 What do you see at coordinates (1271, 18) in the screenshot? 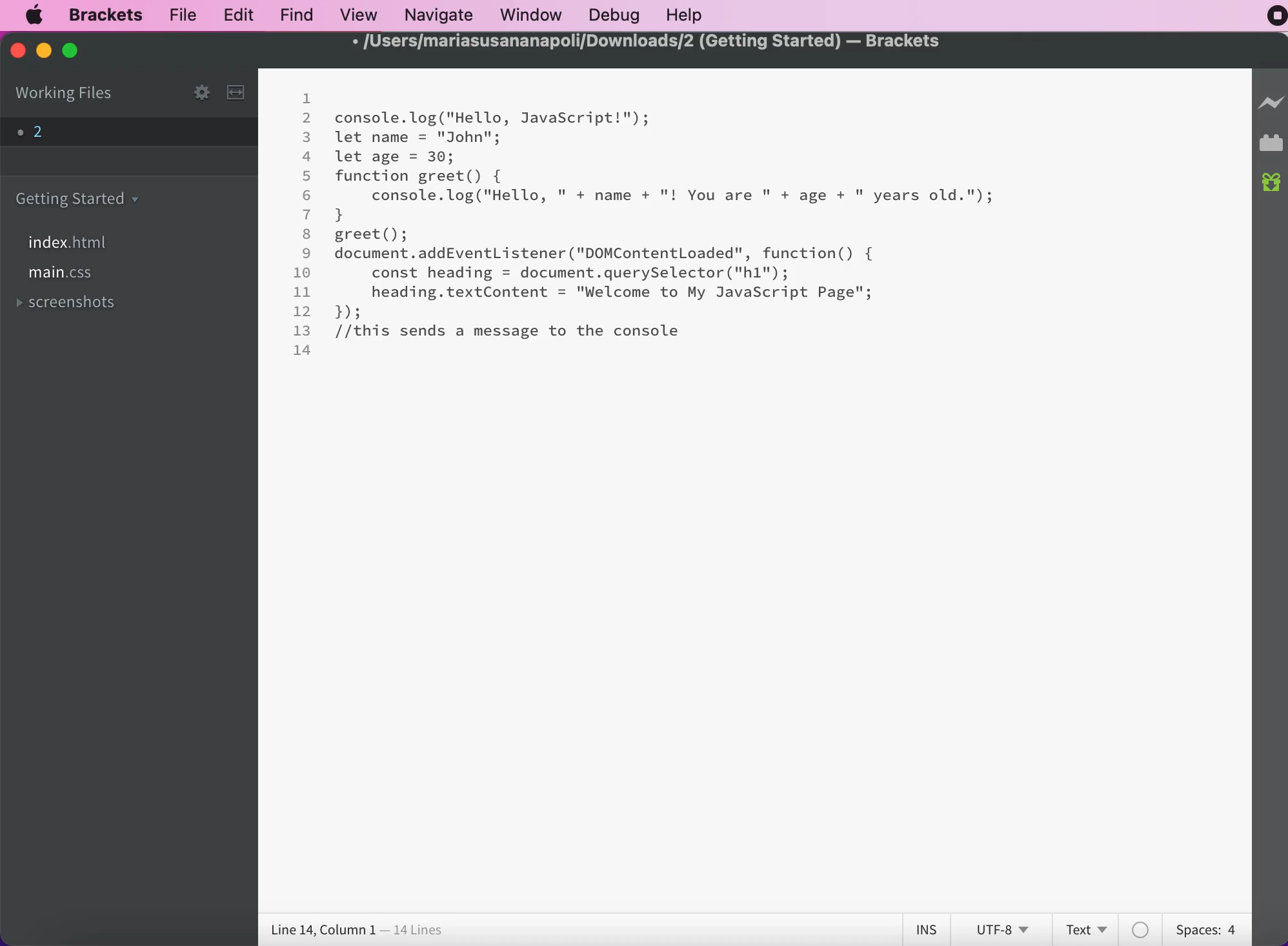
I see `recording stopped` at bounding box center [1271, 18].